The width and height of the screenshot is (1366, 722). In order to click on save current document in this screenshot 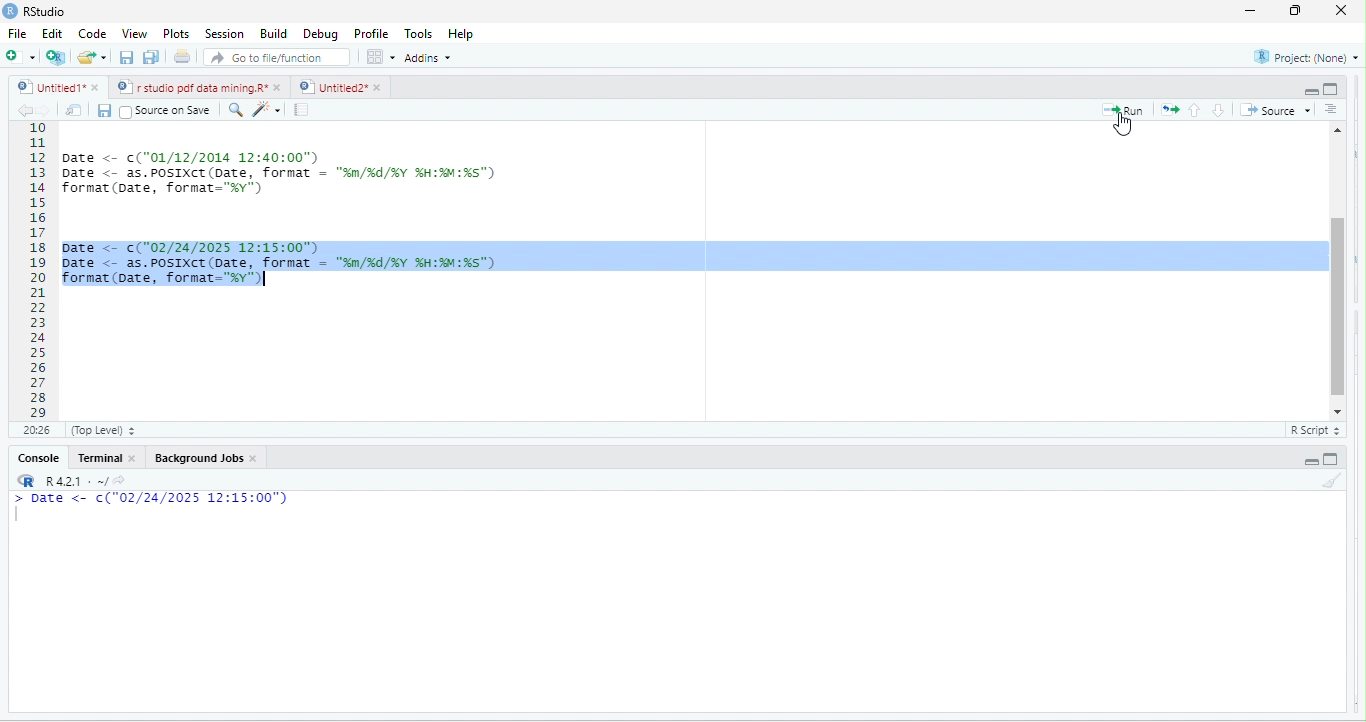, I will do `click(125, 60)`.